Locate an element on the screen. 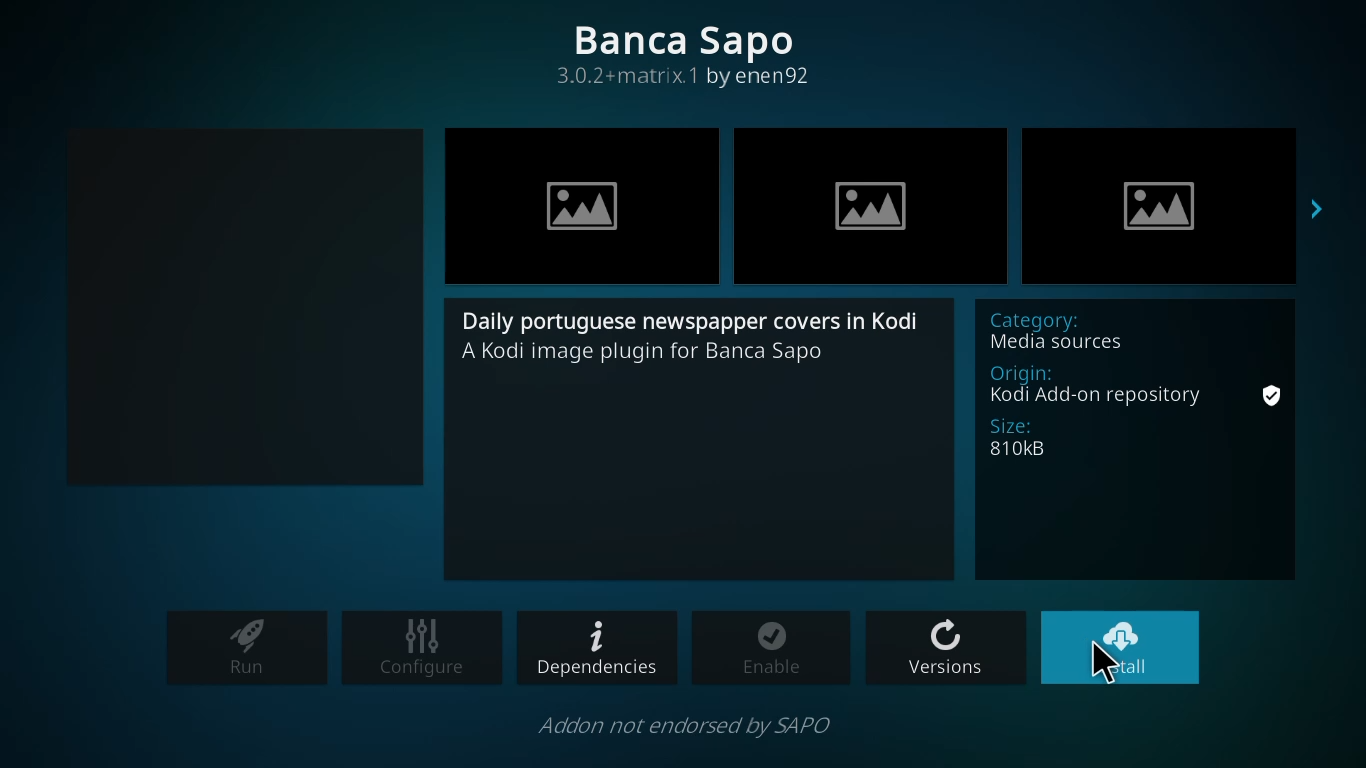 The width and height of the screenshot is (1366, 768). configure is located at coordinates (421, 649).